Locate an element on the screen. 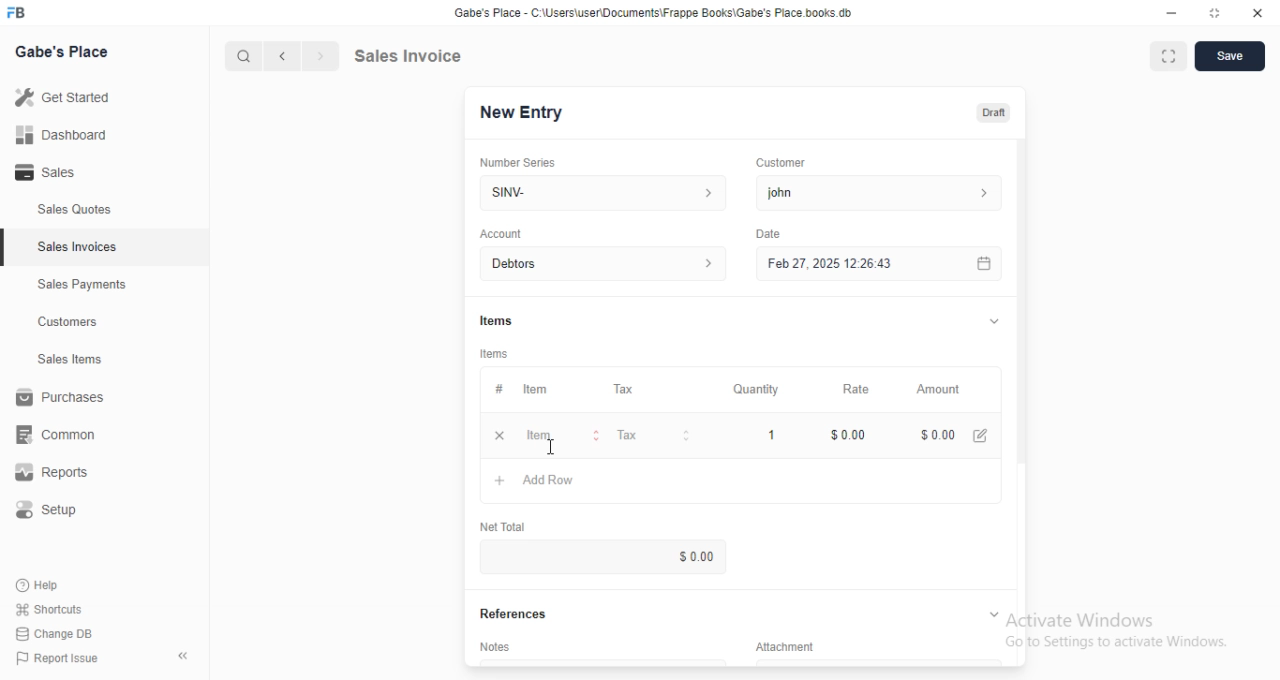  Feb27, 2025 1226:43  is located at coordinates (826, 266).